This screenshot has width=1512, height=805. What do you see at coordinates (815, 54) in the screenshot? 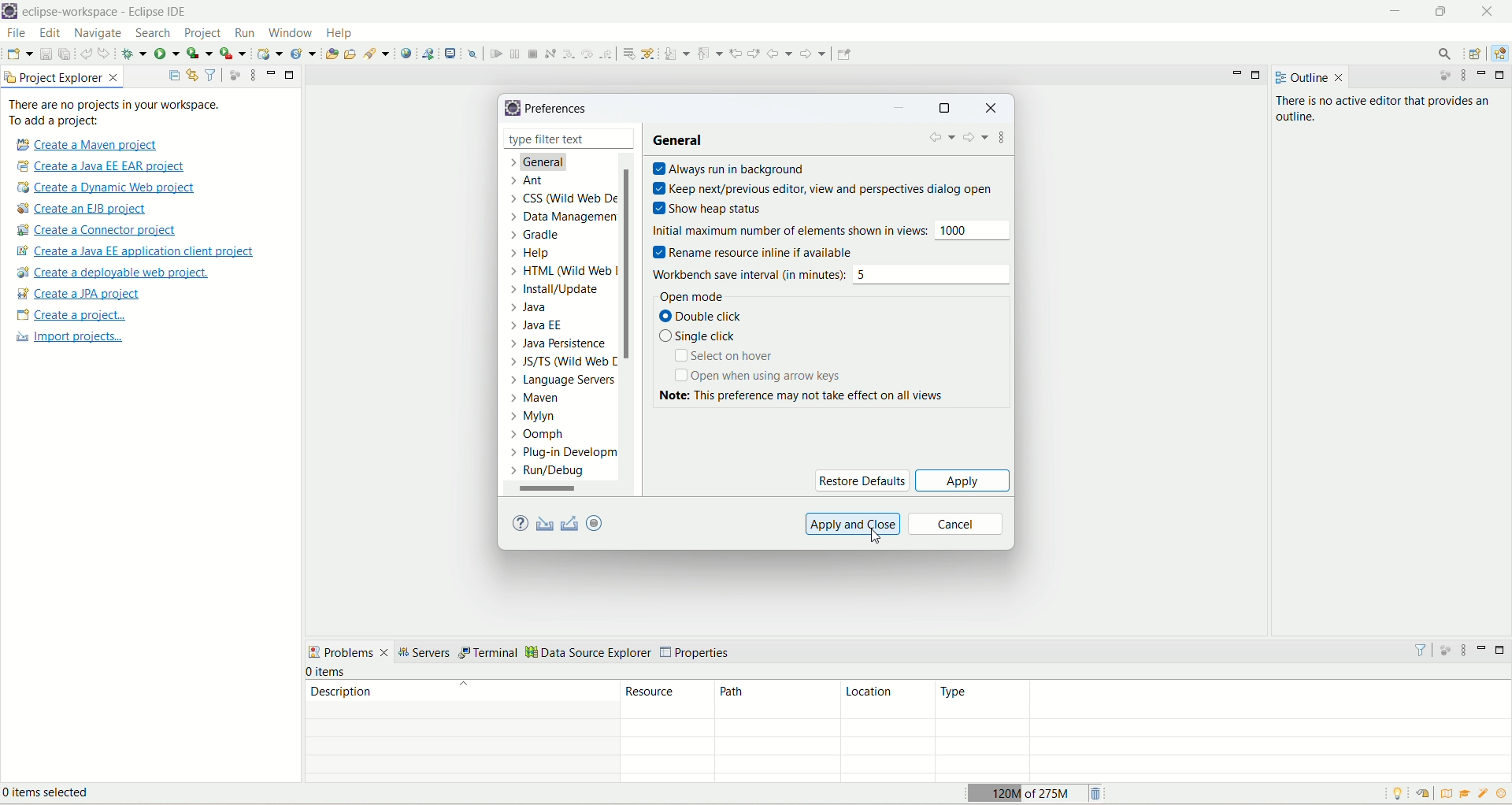
I see `forward` at bounding box center [815, 54].